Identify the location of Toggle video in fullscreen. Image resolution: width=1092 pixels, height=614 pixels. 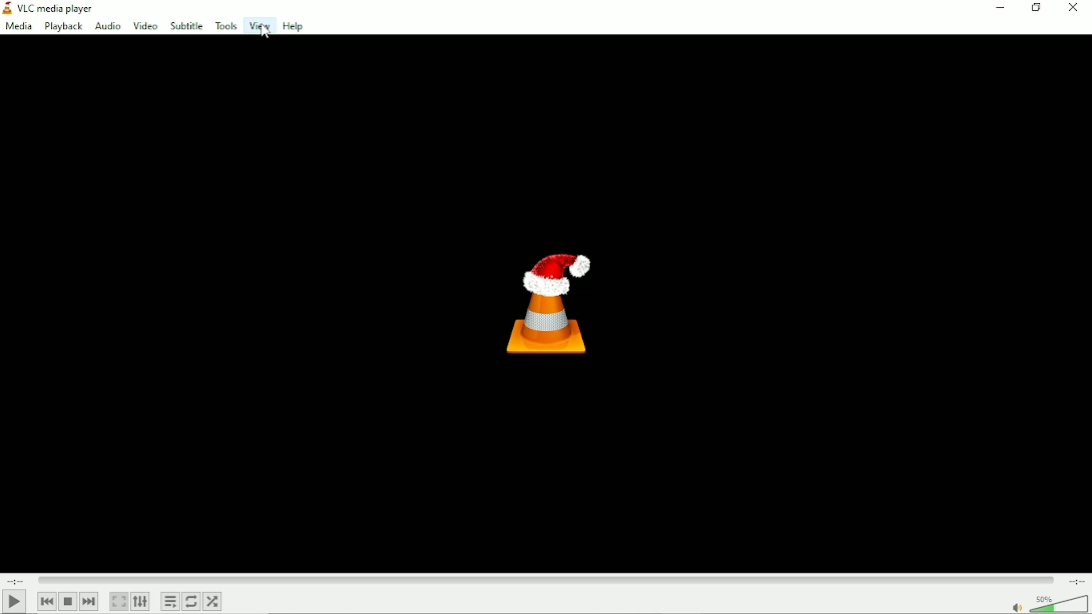
(119, 601).